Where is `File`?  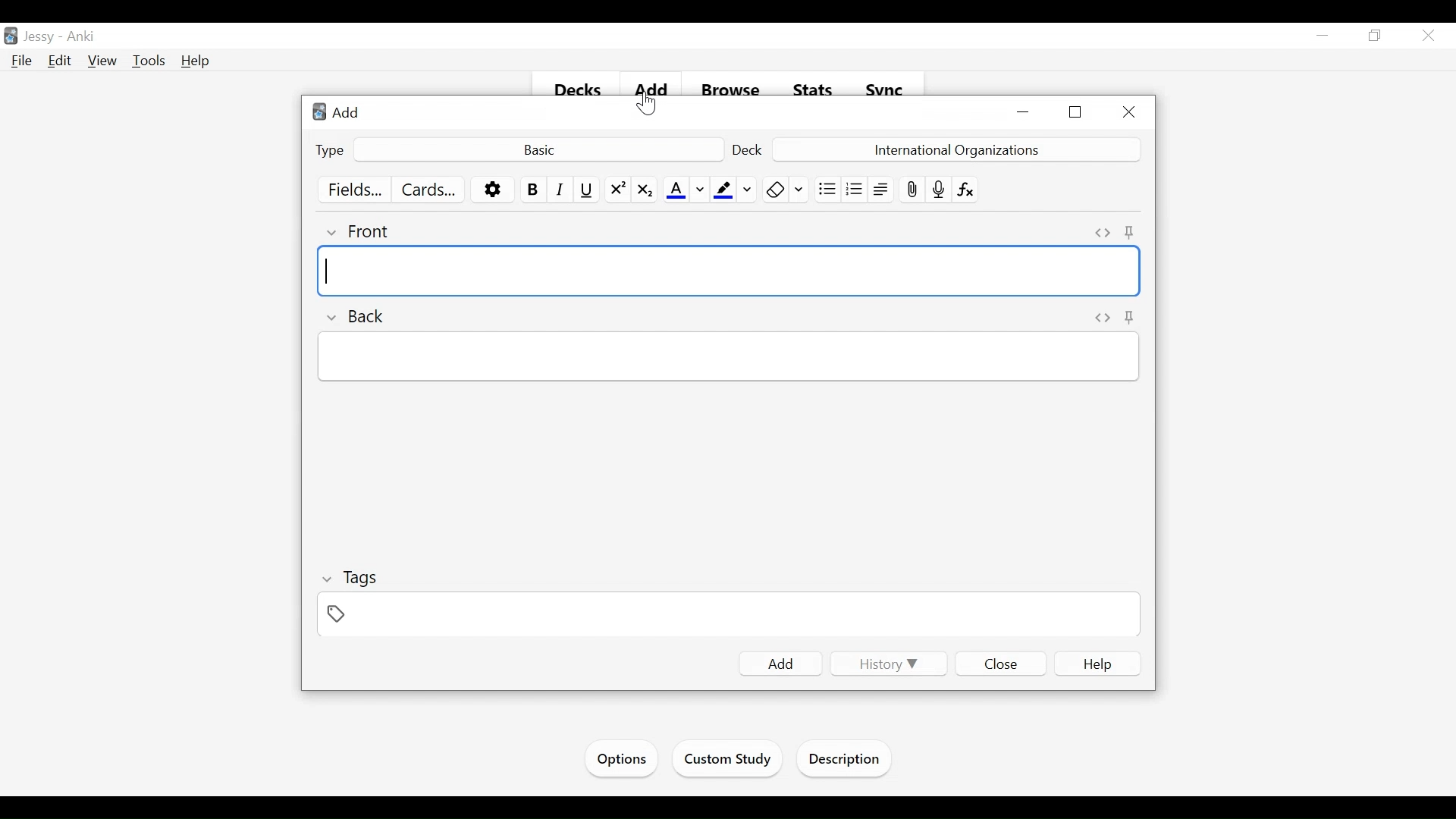
File is located at coordinates (22, 61).